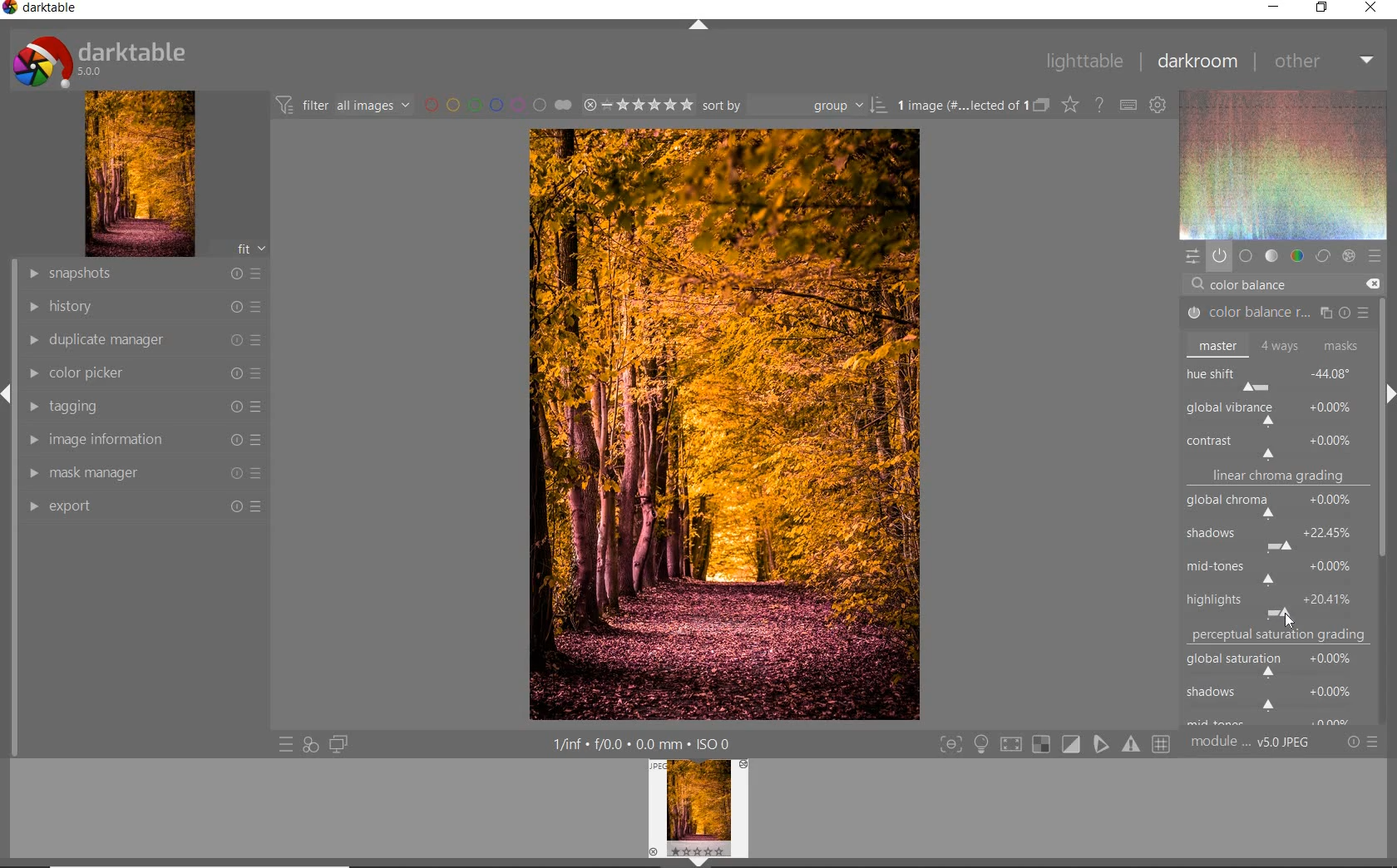 This screenshot has height=868, width=1397. Describe the element at coordinates (1273, 313) in the screenshot. I see `COLOR BALANCE RGB` at that location.